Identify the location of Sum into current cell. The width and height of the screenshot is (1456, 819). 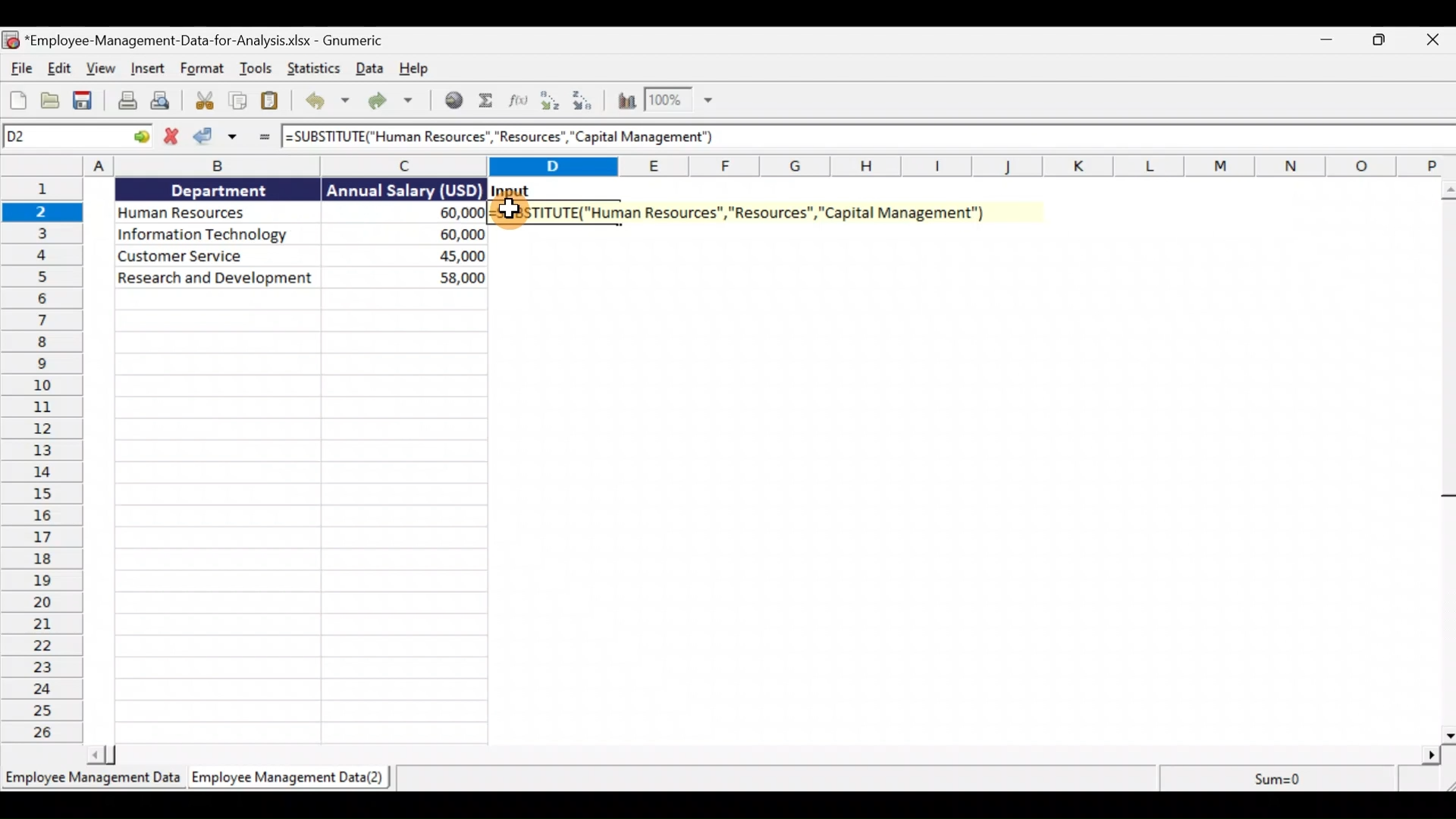
(486, 102).